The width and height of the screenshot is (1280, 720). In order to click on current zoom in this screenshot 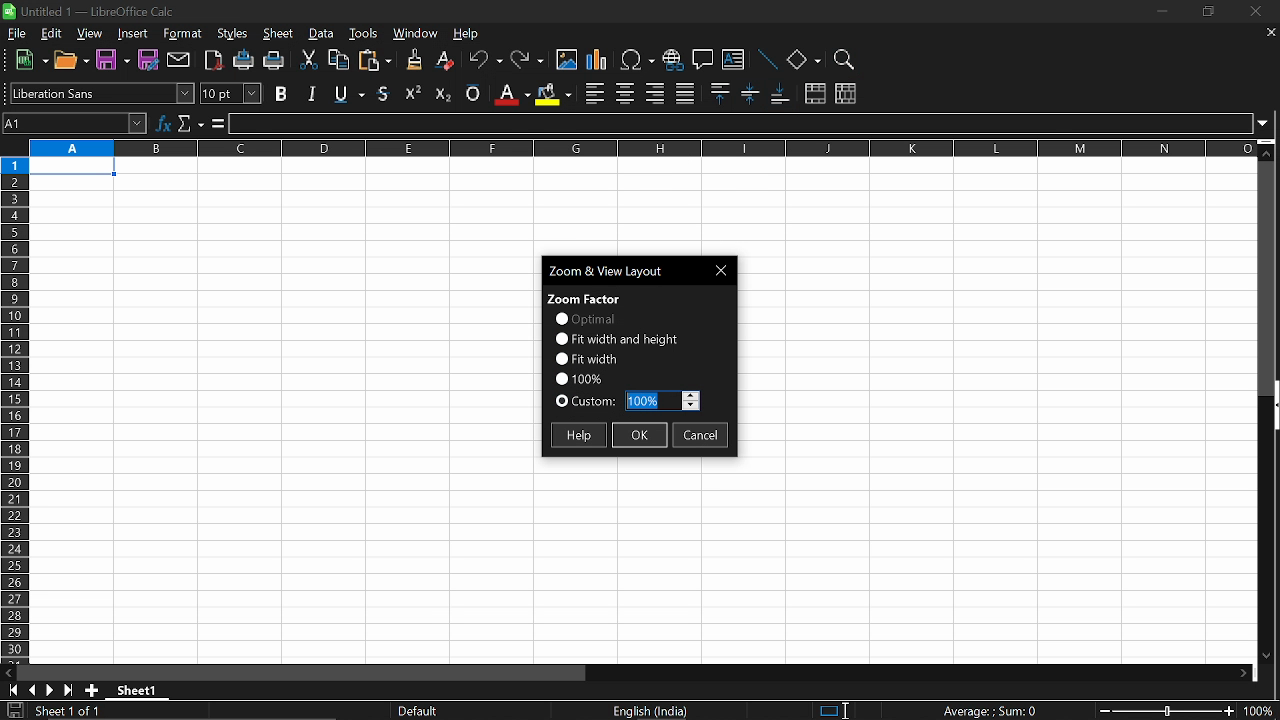, I will do `click(1262, 713)`.